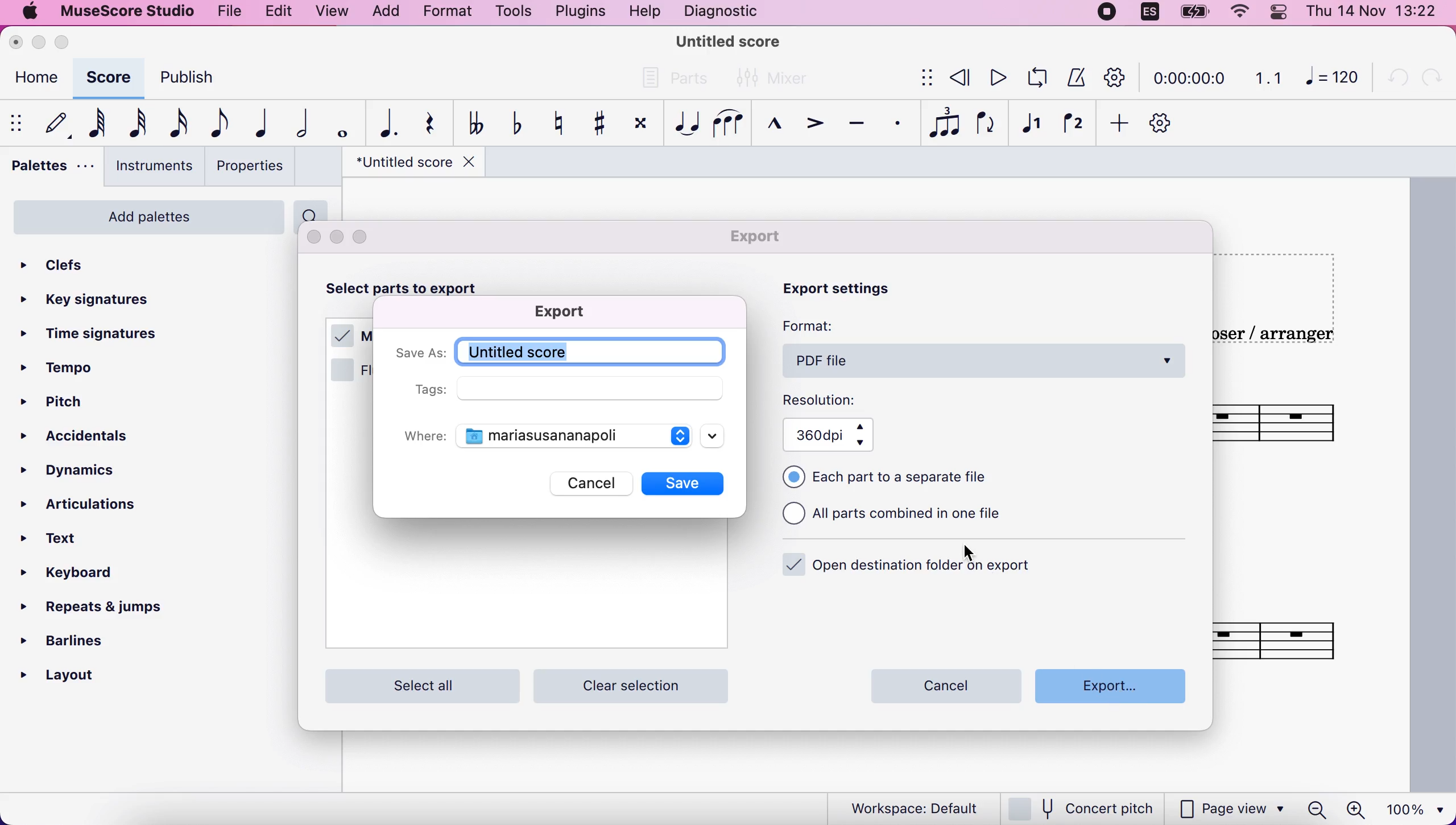 The image size is (1456, 825). I want to click on voice 2, so click(1071, 125).